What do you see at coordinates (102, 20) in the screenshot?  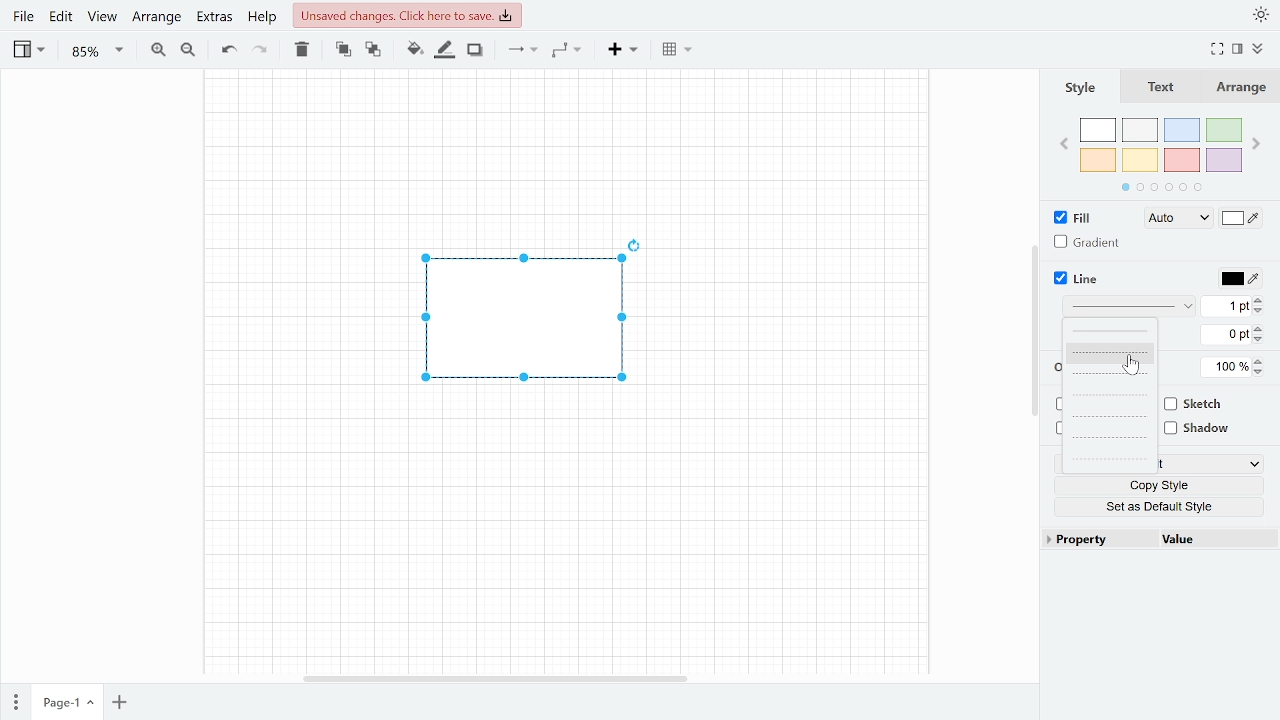 I see `View` at bounding box center [102, 20].